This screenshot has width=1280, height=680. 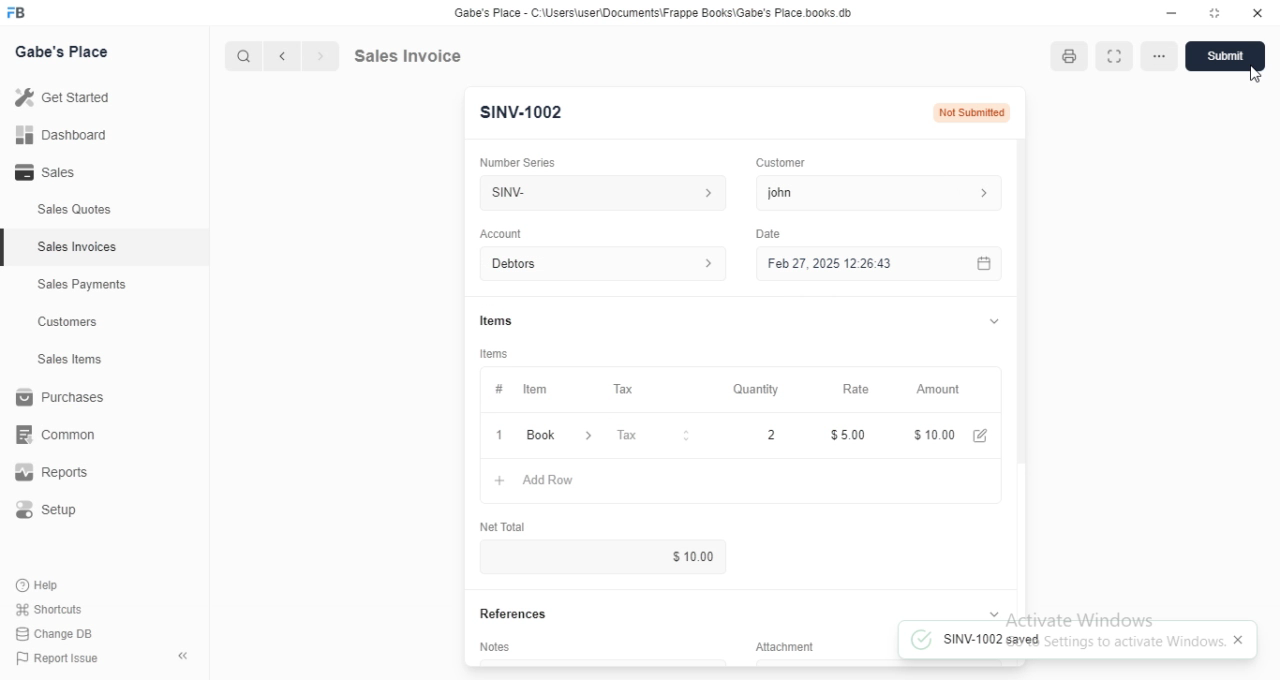 I want to click on Notes, so click(x=494, y=645).